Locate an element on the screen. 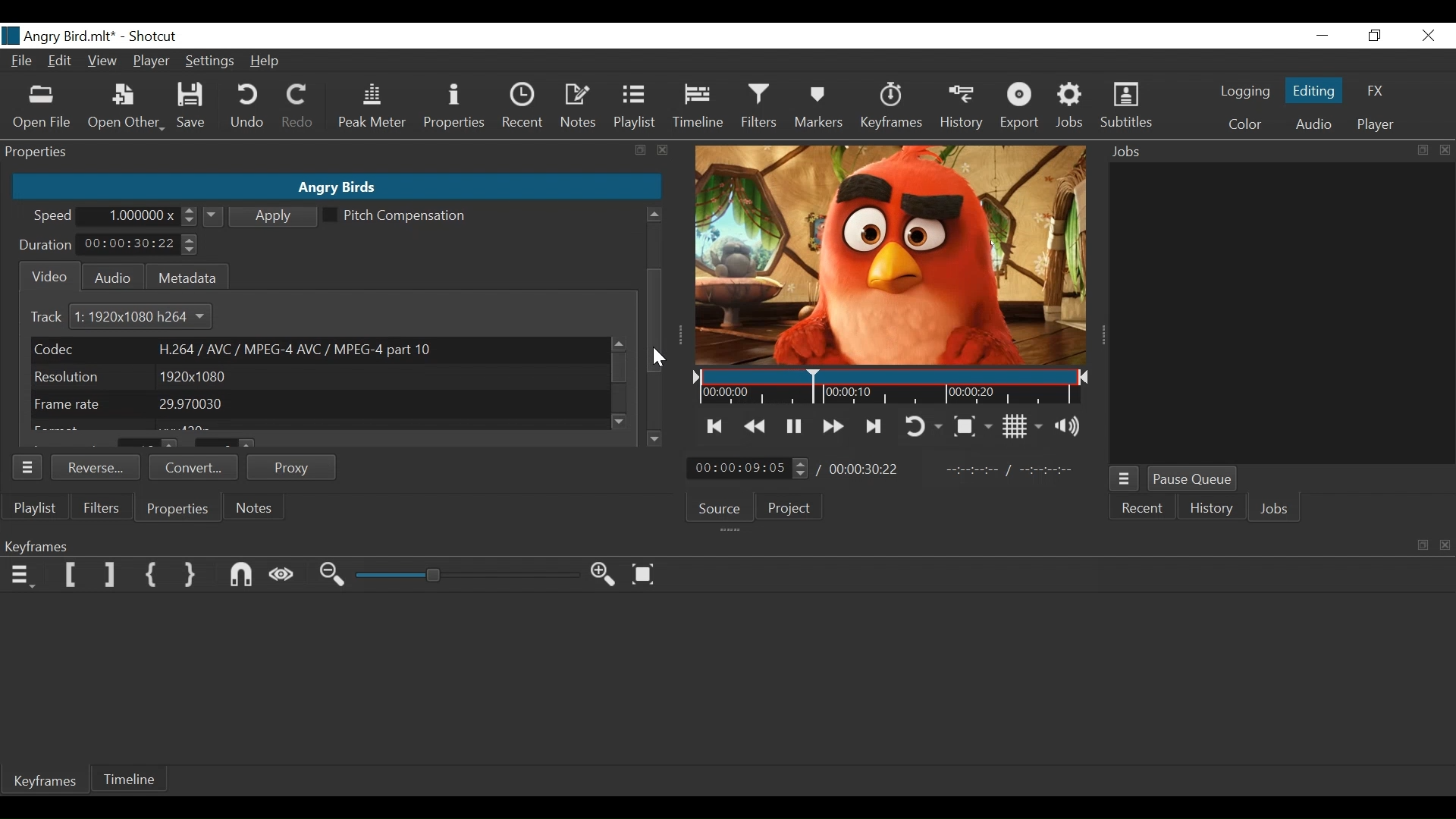 This screenshot has height=819, width=1456. Save is located at coordinates (192, 106).